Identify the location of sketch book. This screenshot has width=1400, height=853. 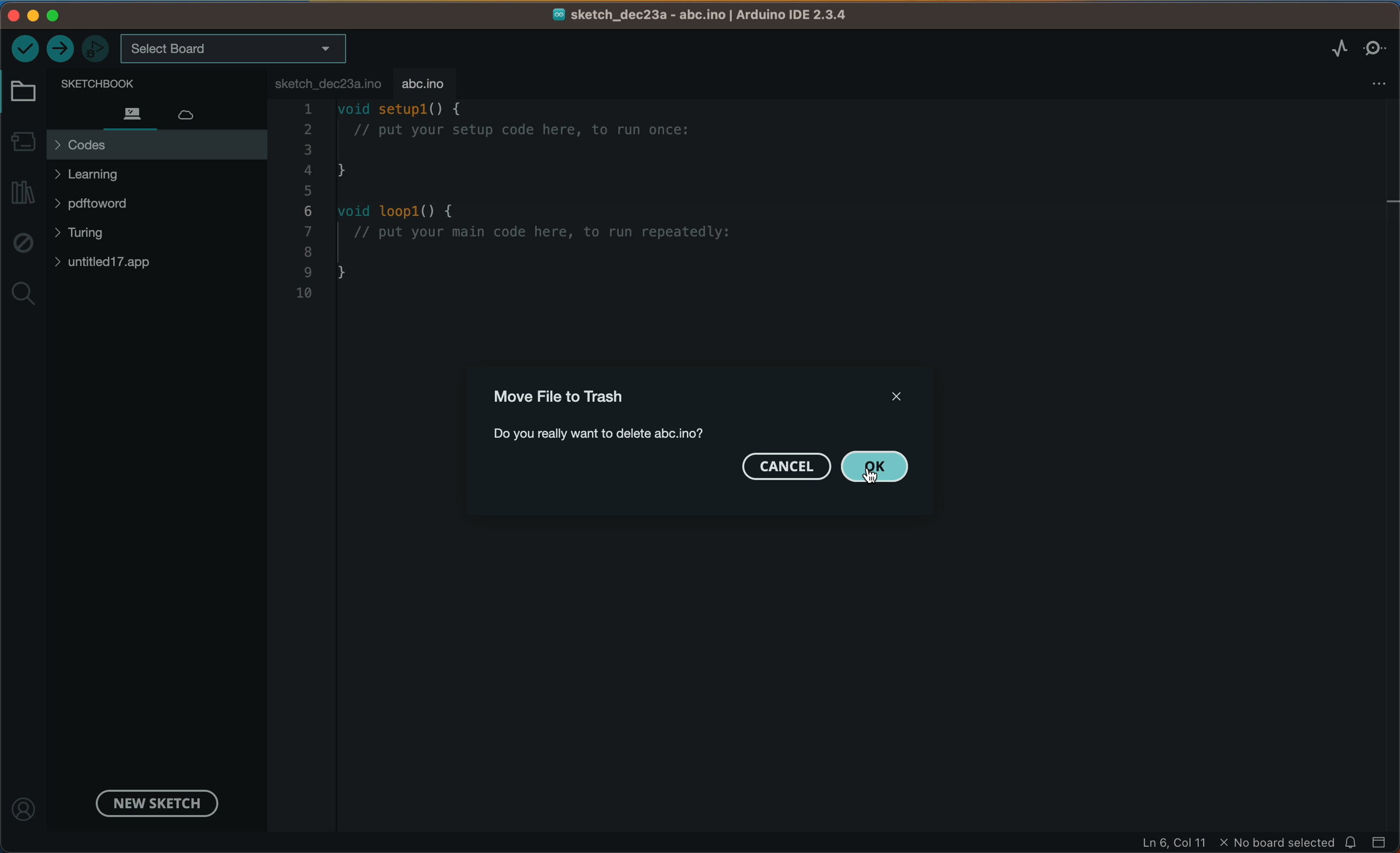
(132, 83).